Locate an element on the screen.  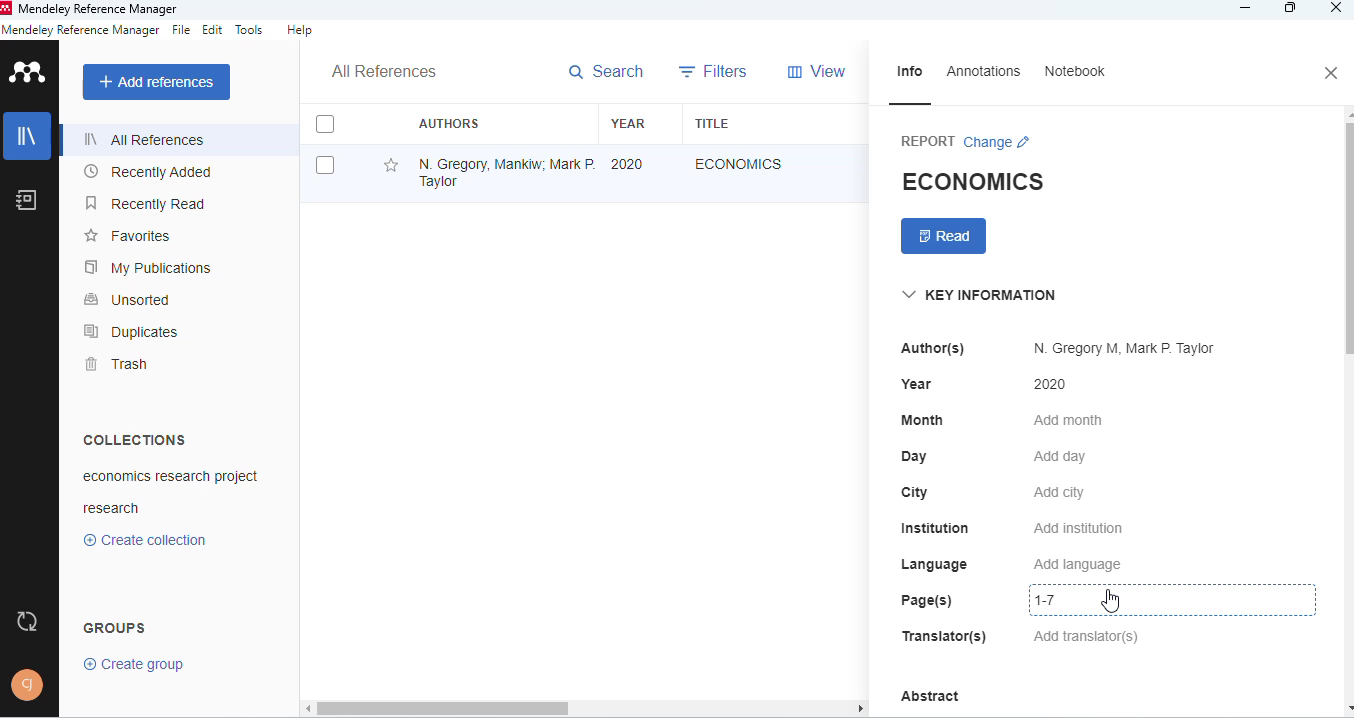
authors is located at coordinates (933, 349).